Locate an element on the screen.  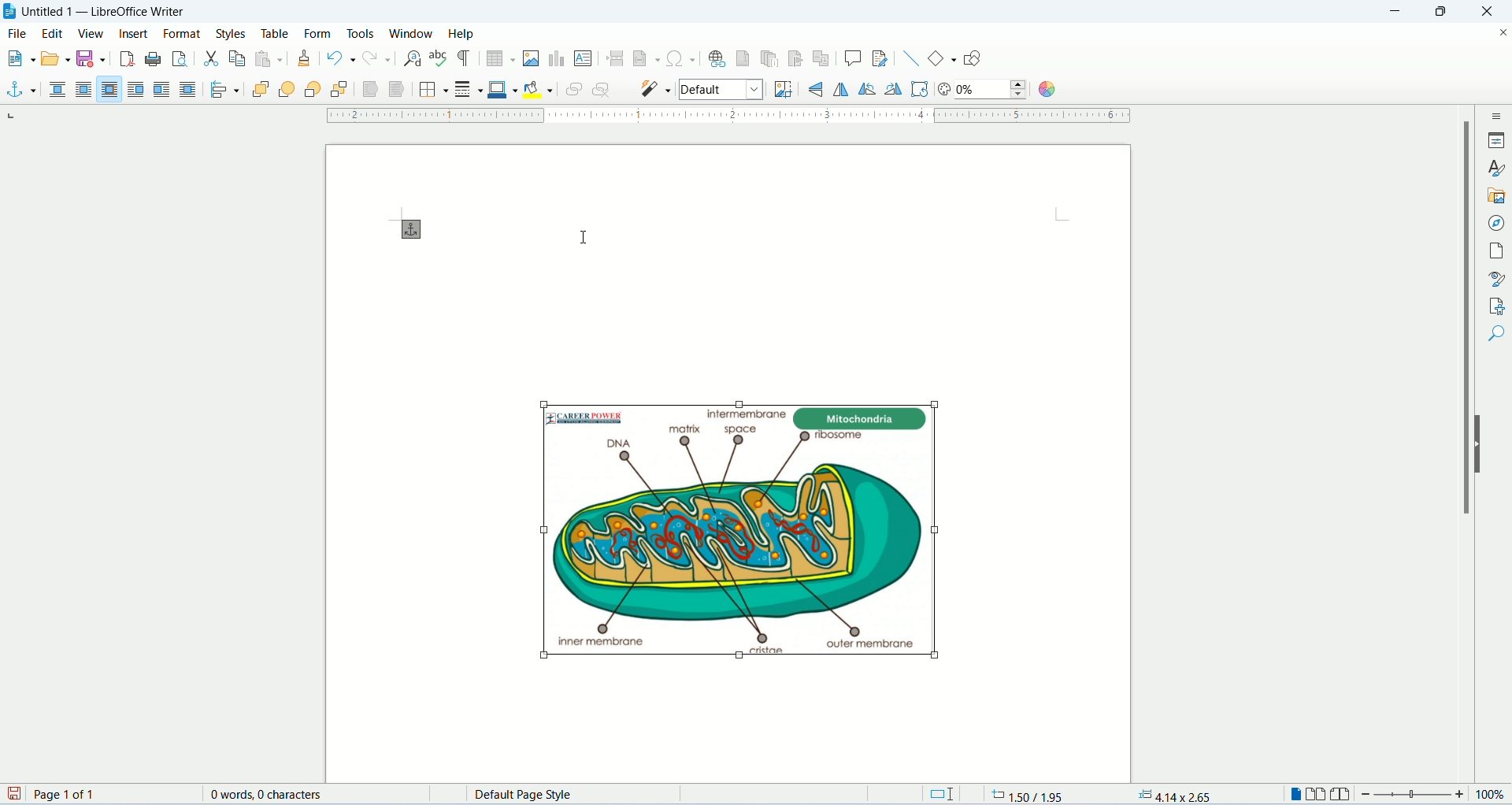
edit is located at coordinates (54, 32).